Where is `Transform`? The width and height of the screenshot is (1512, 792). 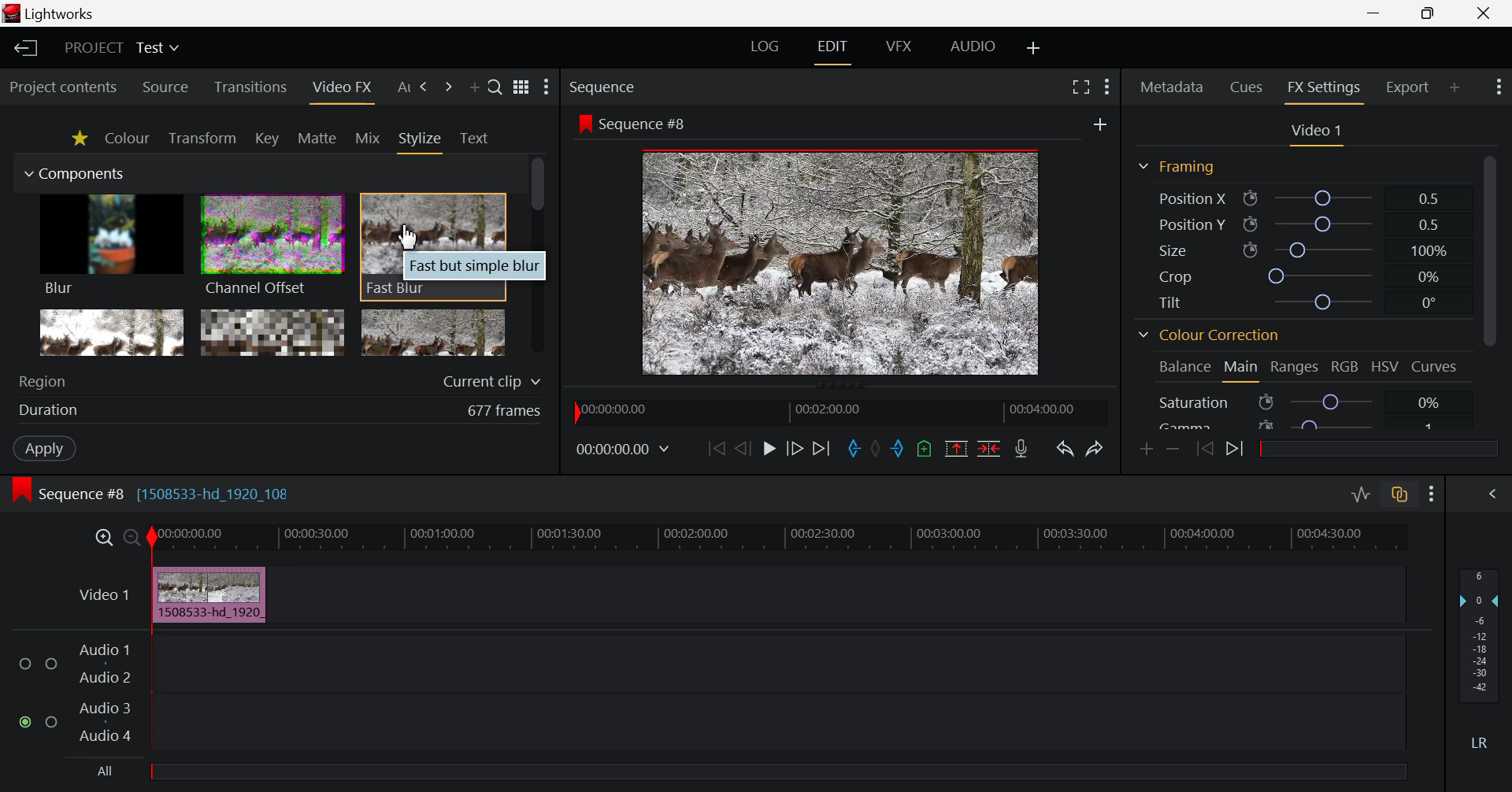 Transform is located at coordinates (203, 138).